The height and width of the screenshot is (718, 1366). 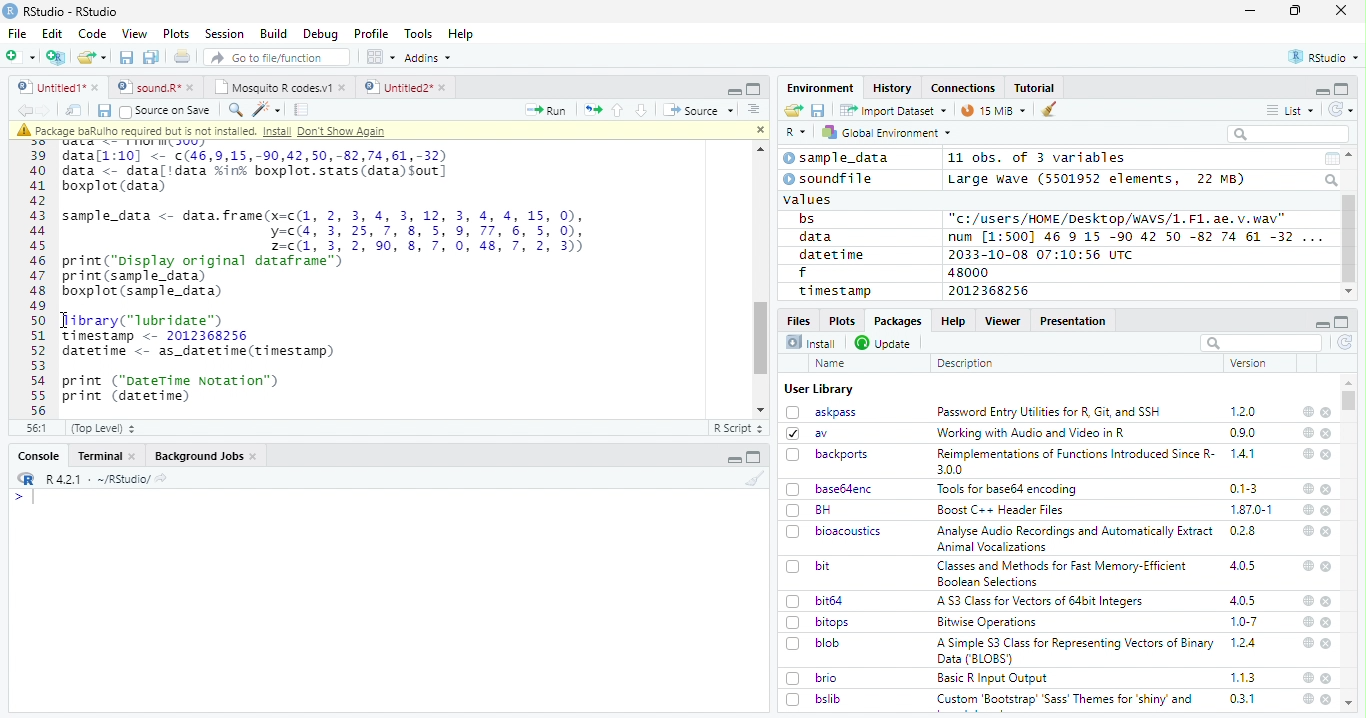 I want to click on 1.4.1, so click(x=1244, y=453).